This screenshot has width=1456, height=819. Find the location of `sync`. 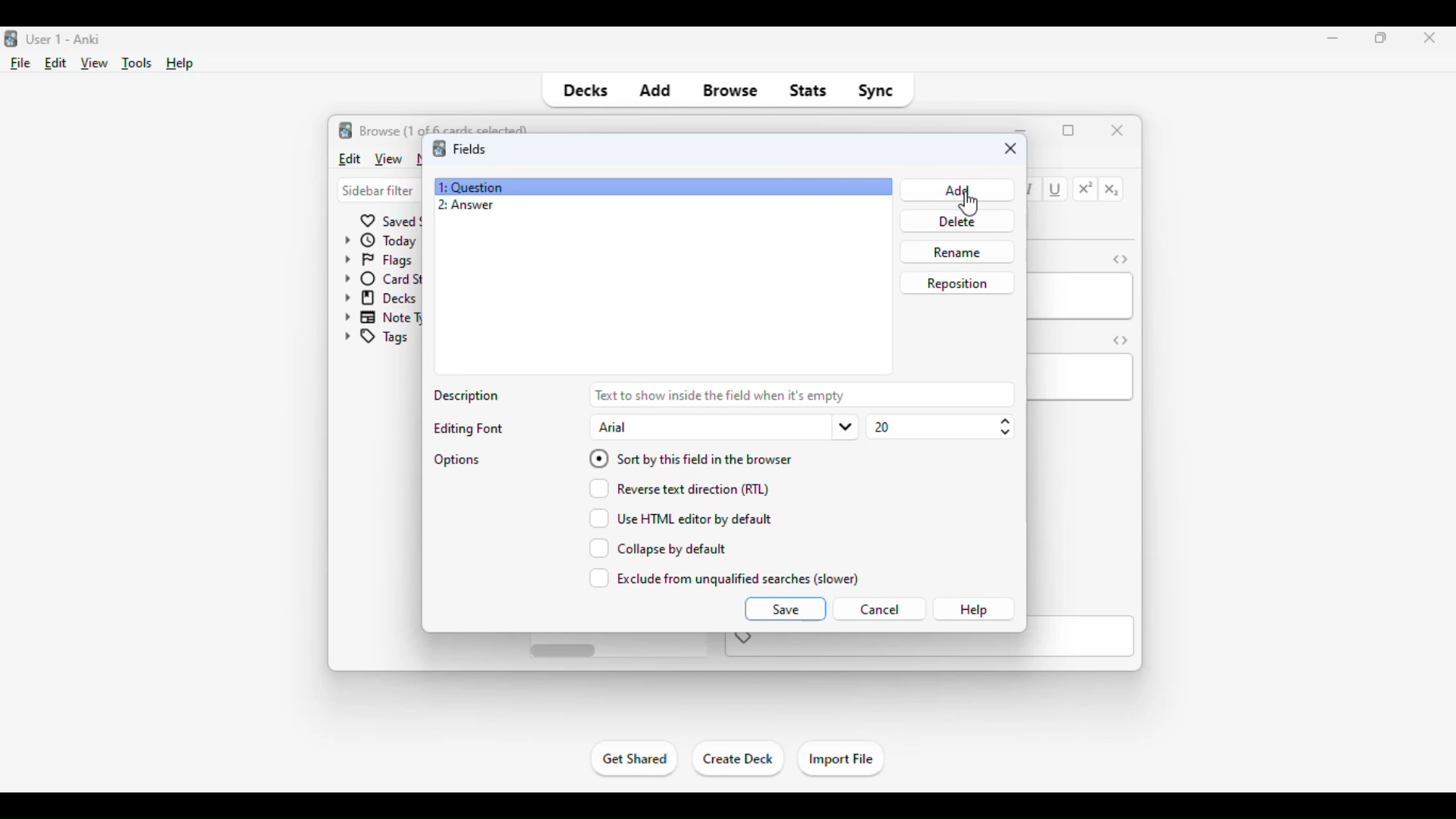

sync is located at coordinates (875, 91).